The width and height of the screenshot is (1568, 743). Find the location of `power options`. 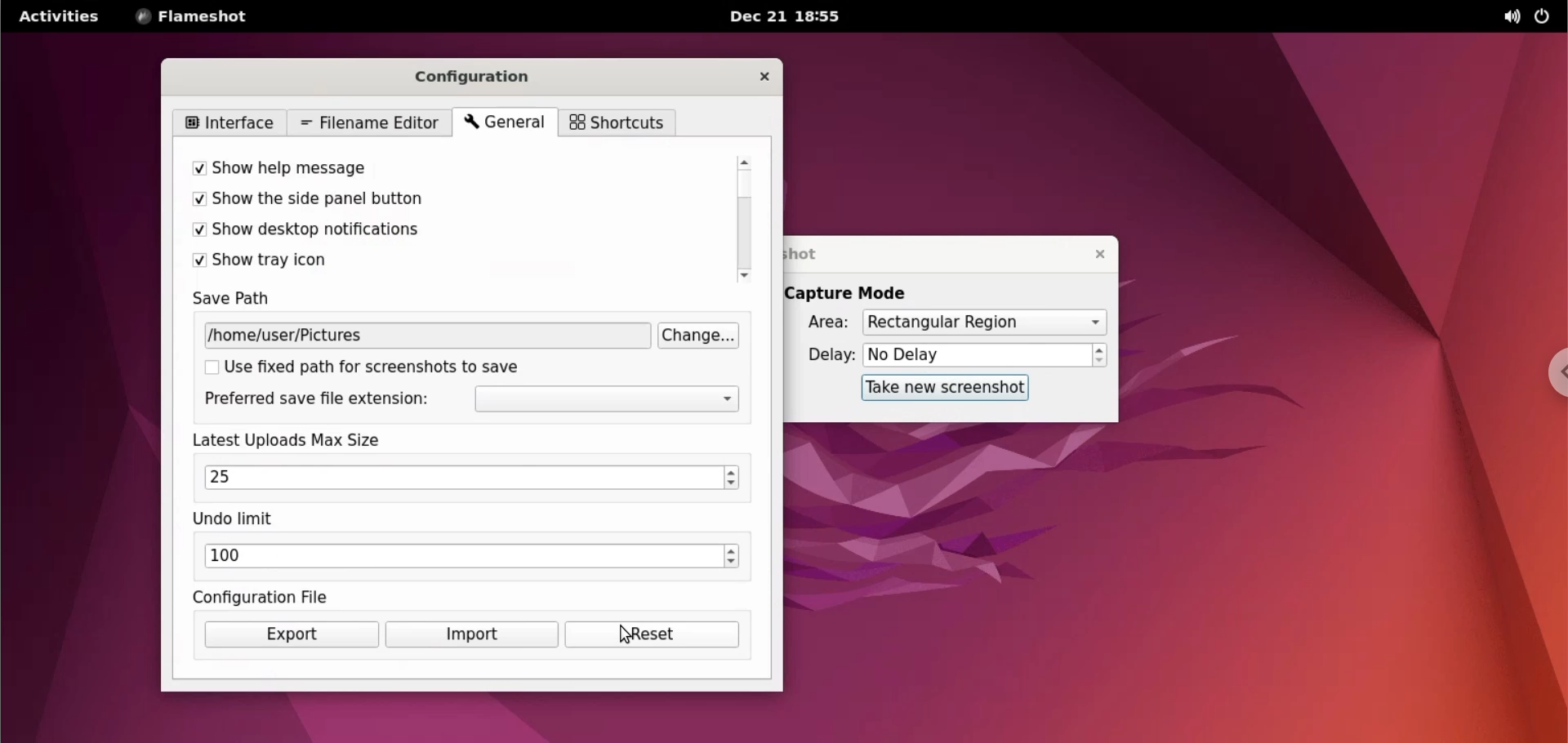

power options is located at coordinates (1543, 17).